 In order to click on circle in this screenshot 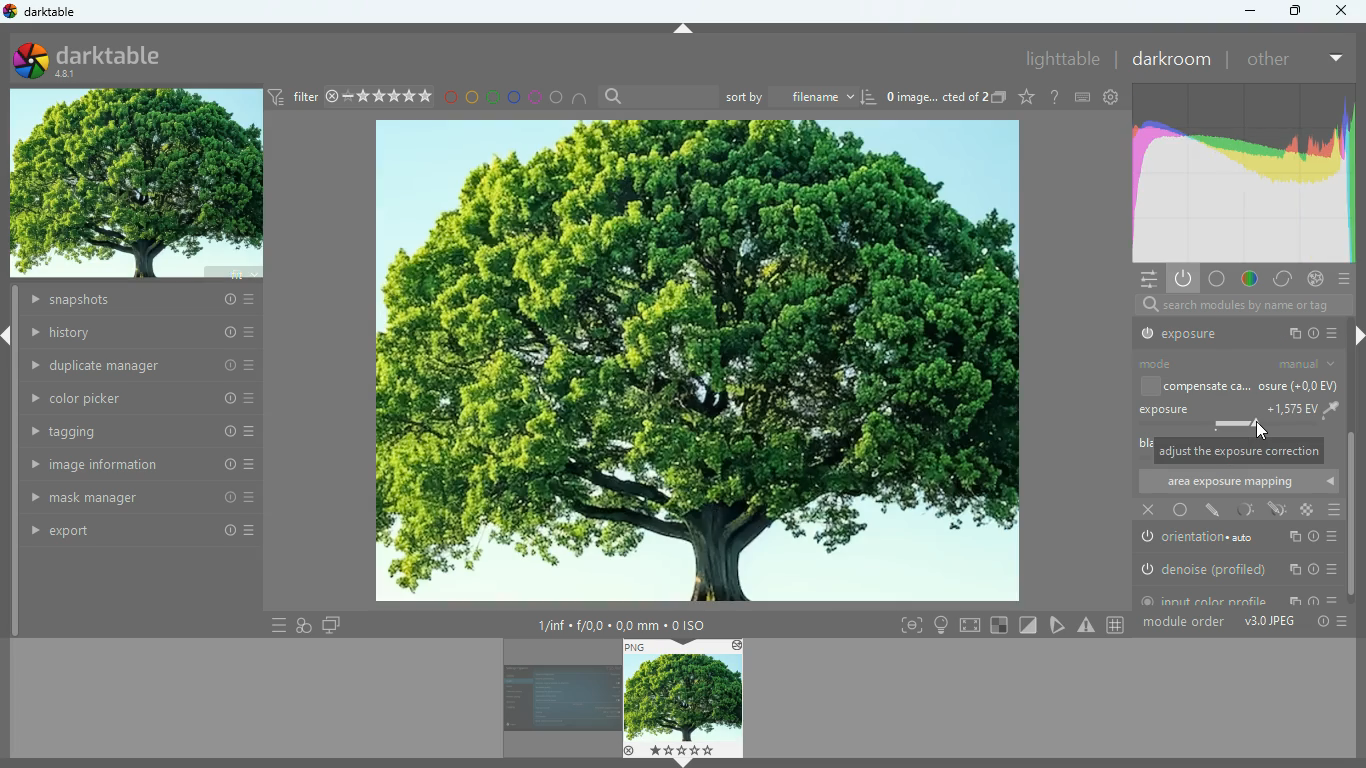, I will do `click(558, 98)`.